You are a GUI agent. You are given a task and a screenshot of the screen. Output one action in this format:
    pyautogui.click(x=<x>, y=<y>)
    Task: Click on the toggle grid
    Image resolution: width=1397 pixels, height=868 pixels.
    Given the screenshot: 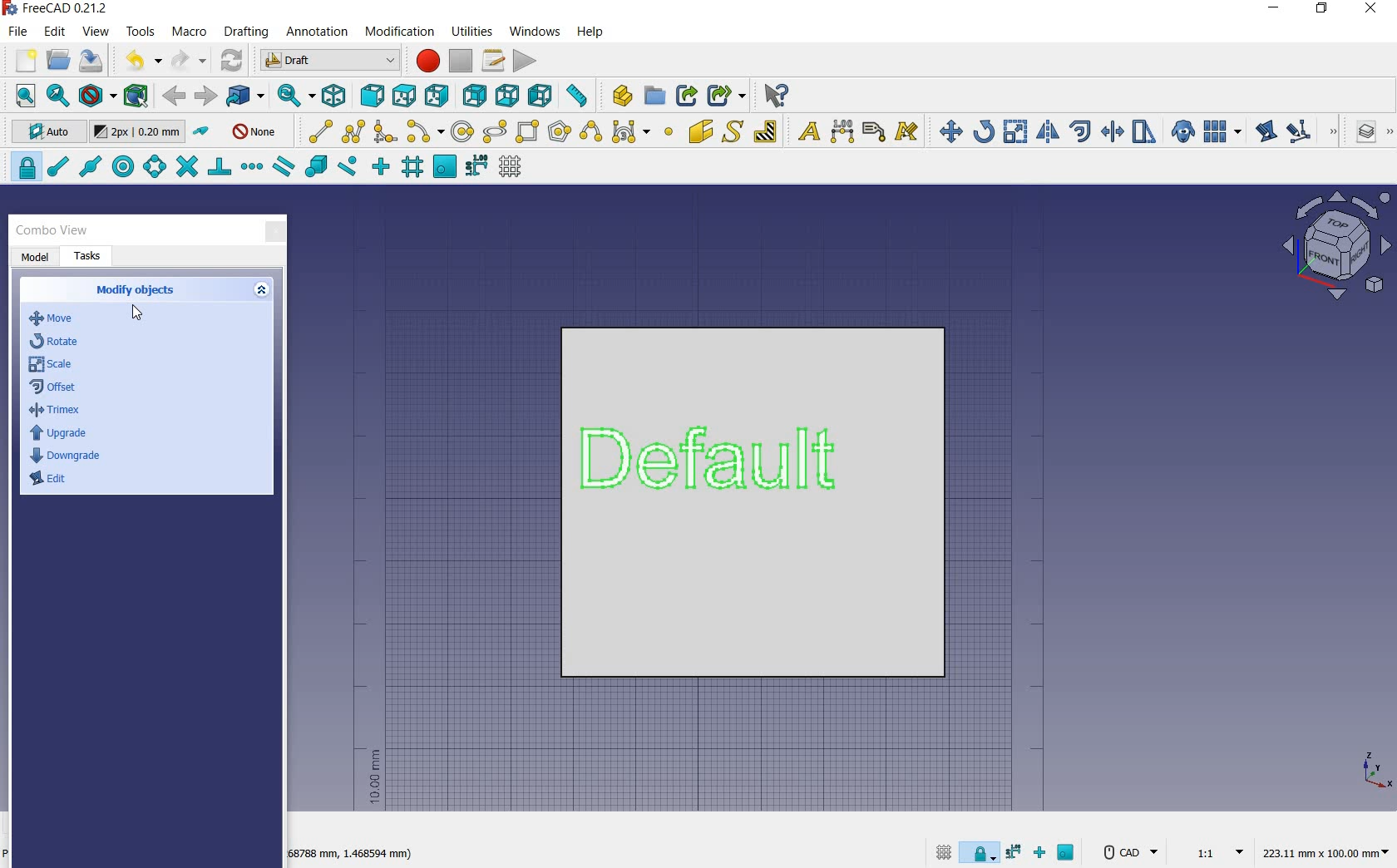 What is the action you would take?
    pyautogui.click(x=512, y=167)
    